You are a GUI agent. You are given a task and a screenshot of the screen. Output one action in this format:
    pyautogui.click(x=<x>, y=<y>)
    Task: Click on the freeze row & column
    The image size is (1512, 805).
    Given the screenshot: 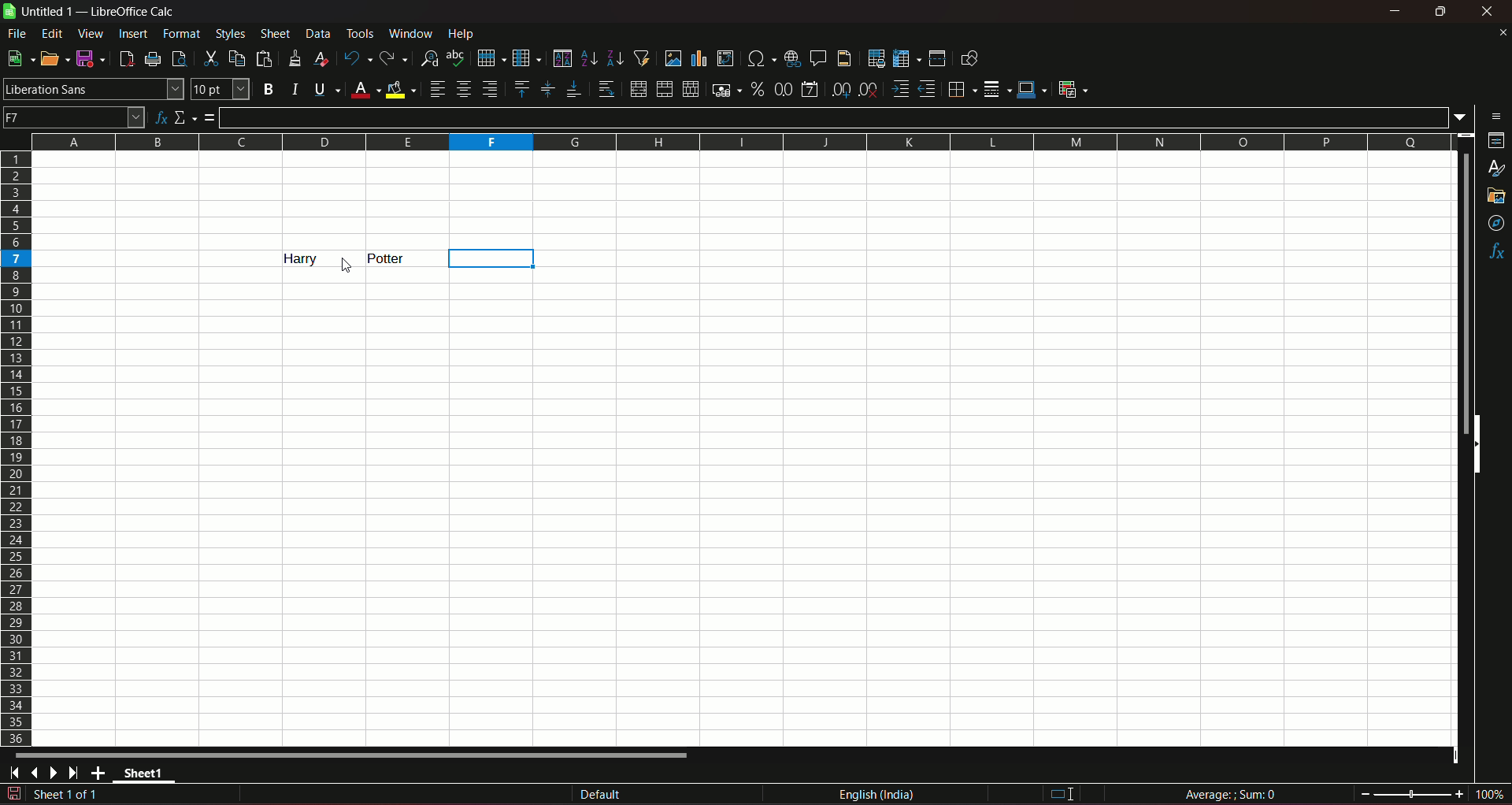 What is the action you would take?
    pyautogui.click(x=906, y=59)
    